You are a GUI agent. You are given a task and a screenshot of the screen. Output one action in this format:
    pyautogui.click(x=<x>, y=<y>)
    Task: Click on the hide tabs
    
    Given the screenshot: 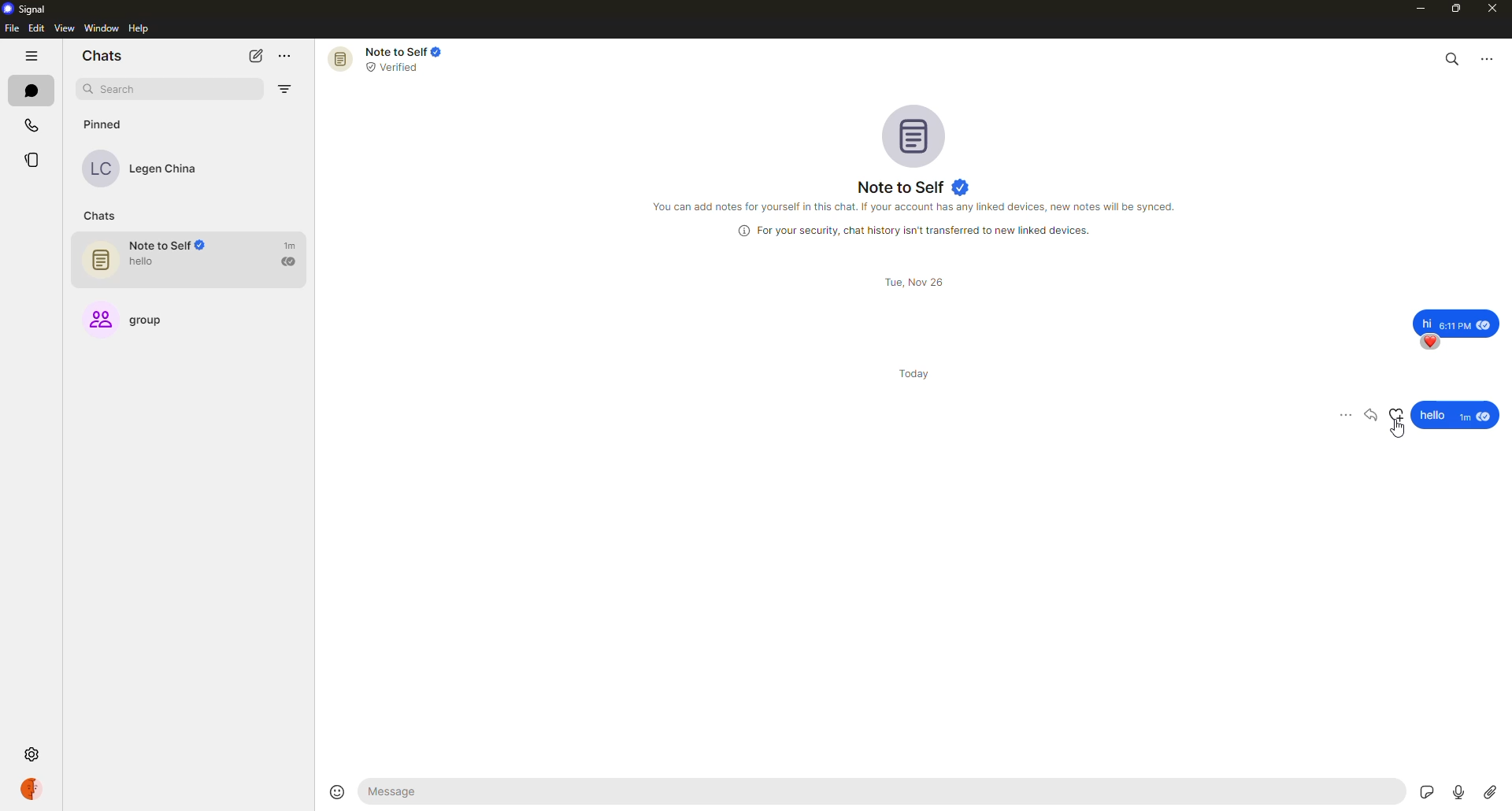 What is the action you would take?
    pyautogui.click(x=31, y=57)
    